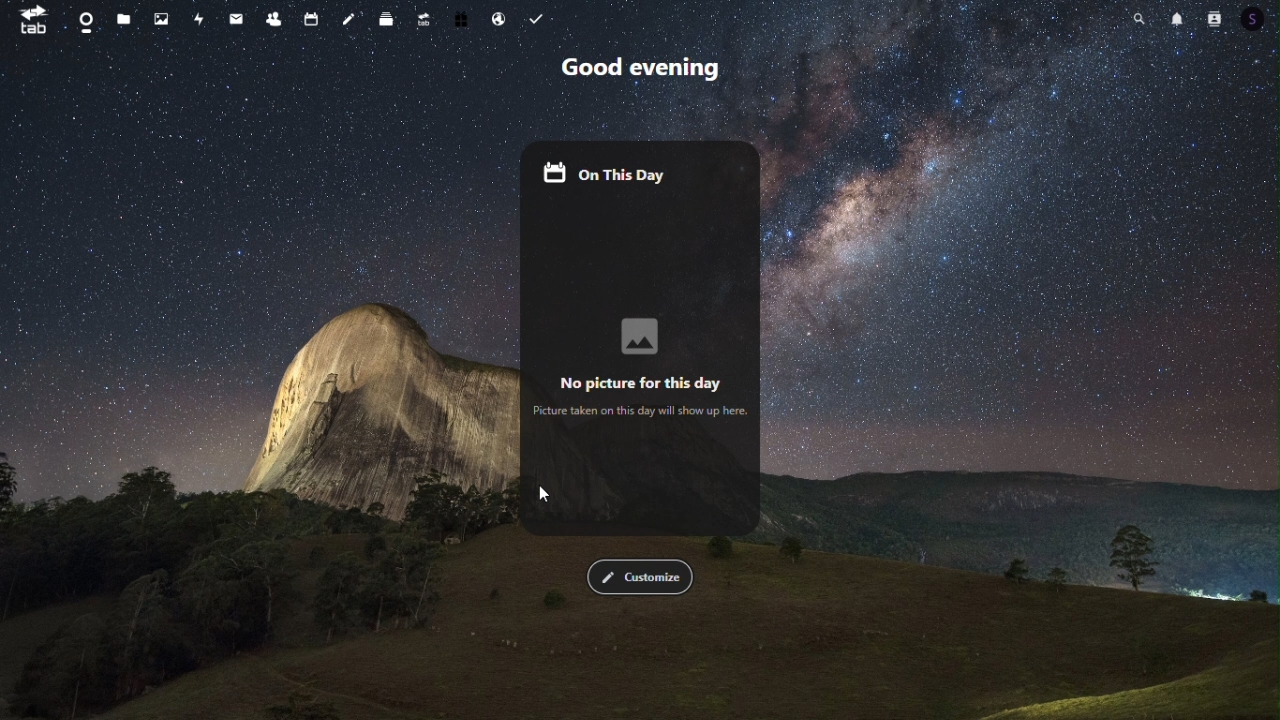 The height and width of the screenshot is (720, 1280). I want to click on cursor, so click(549, 497).